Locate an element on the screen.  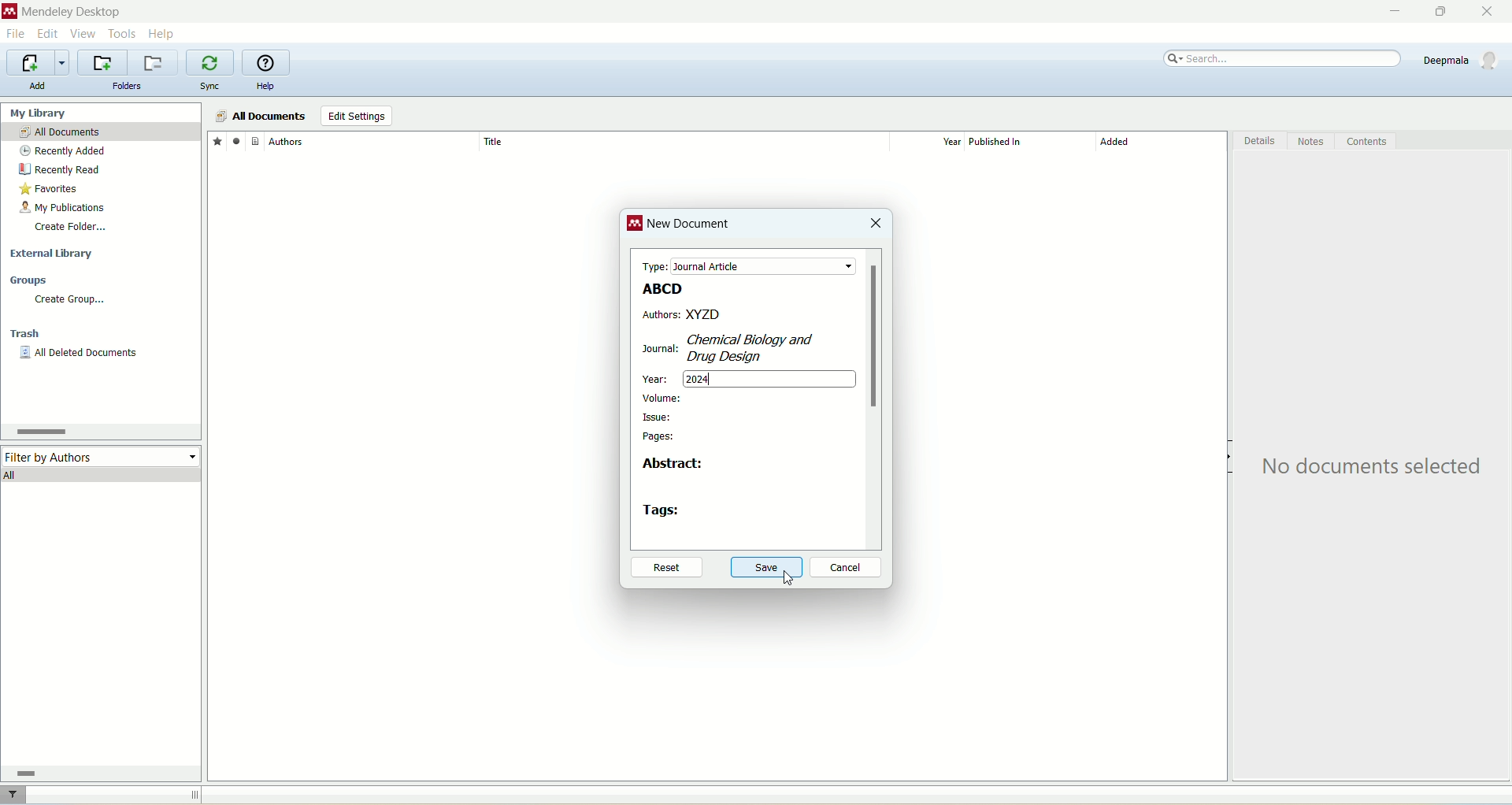
tools is located at coordinates (123, 32).